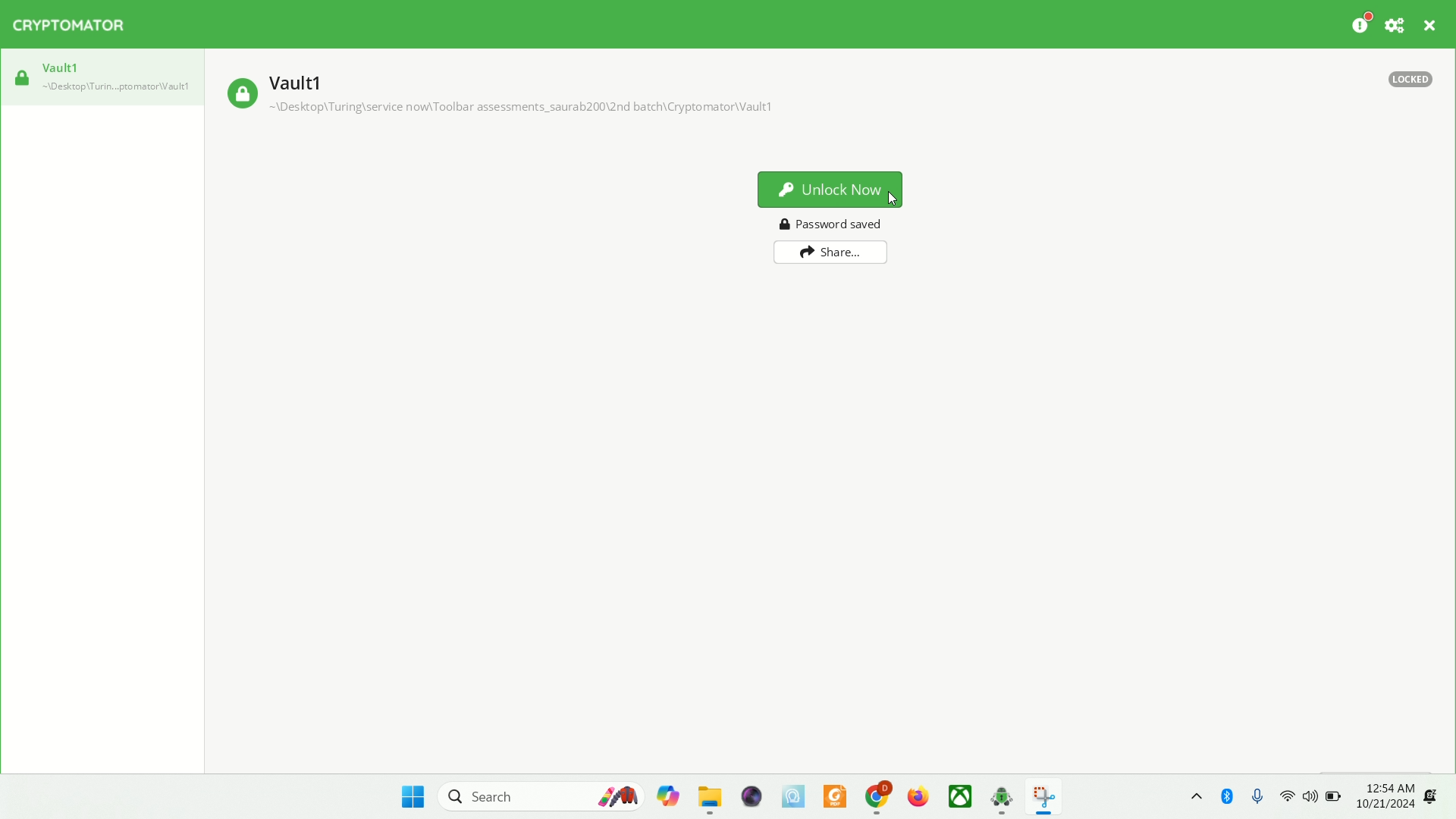 This screenshot has width=1456, height=819. What do you see at coordinates (1045, 798) in the screenshot?
I see `snipping tool` at bounding box center [1045, 798].